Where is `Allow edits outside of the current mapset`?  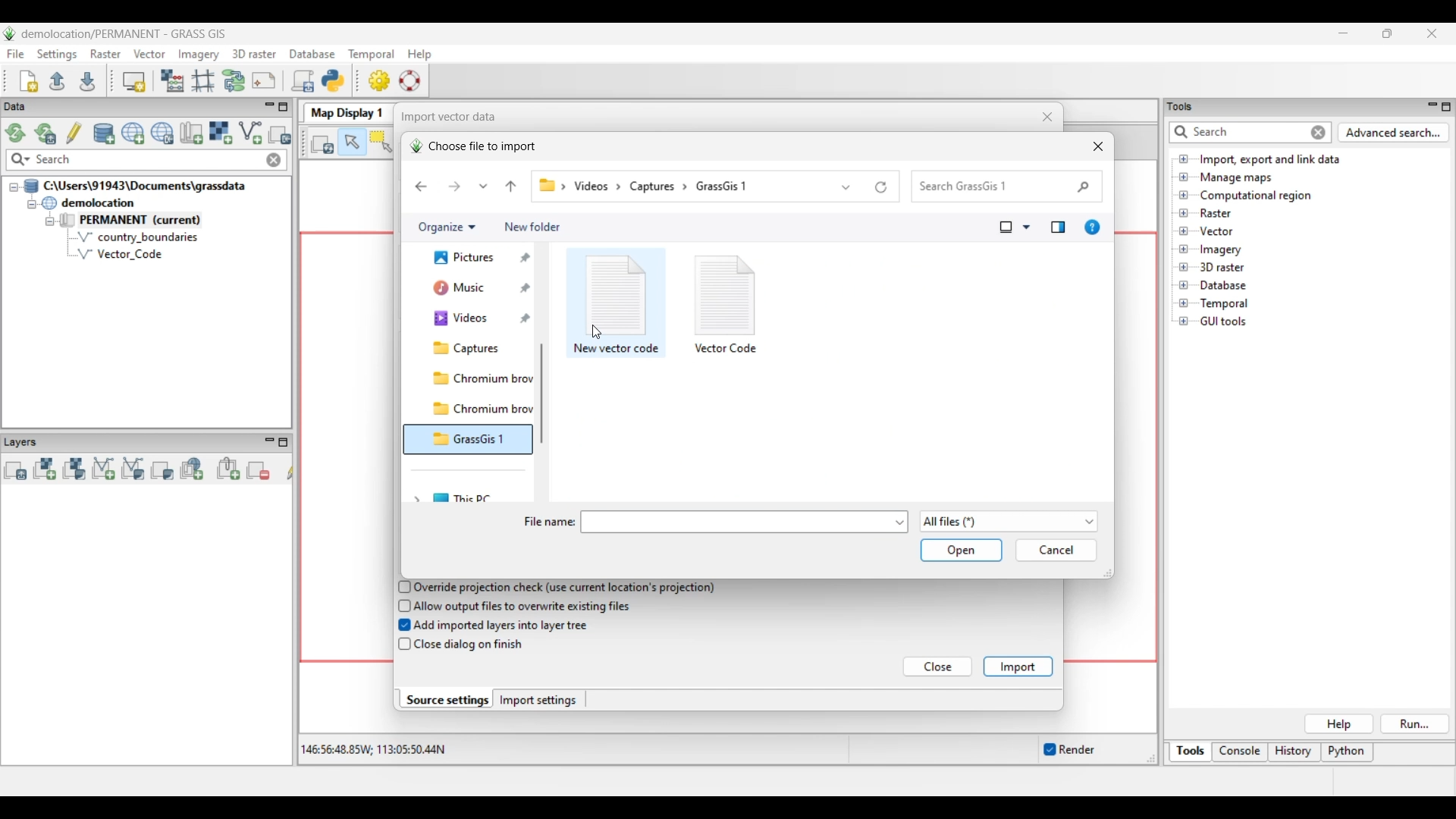
Allow edits outside of the current mapset is located at coordinates (74, 133).